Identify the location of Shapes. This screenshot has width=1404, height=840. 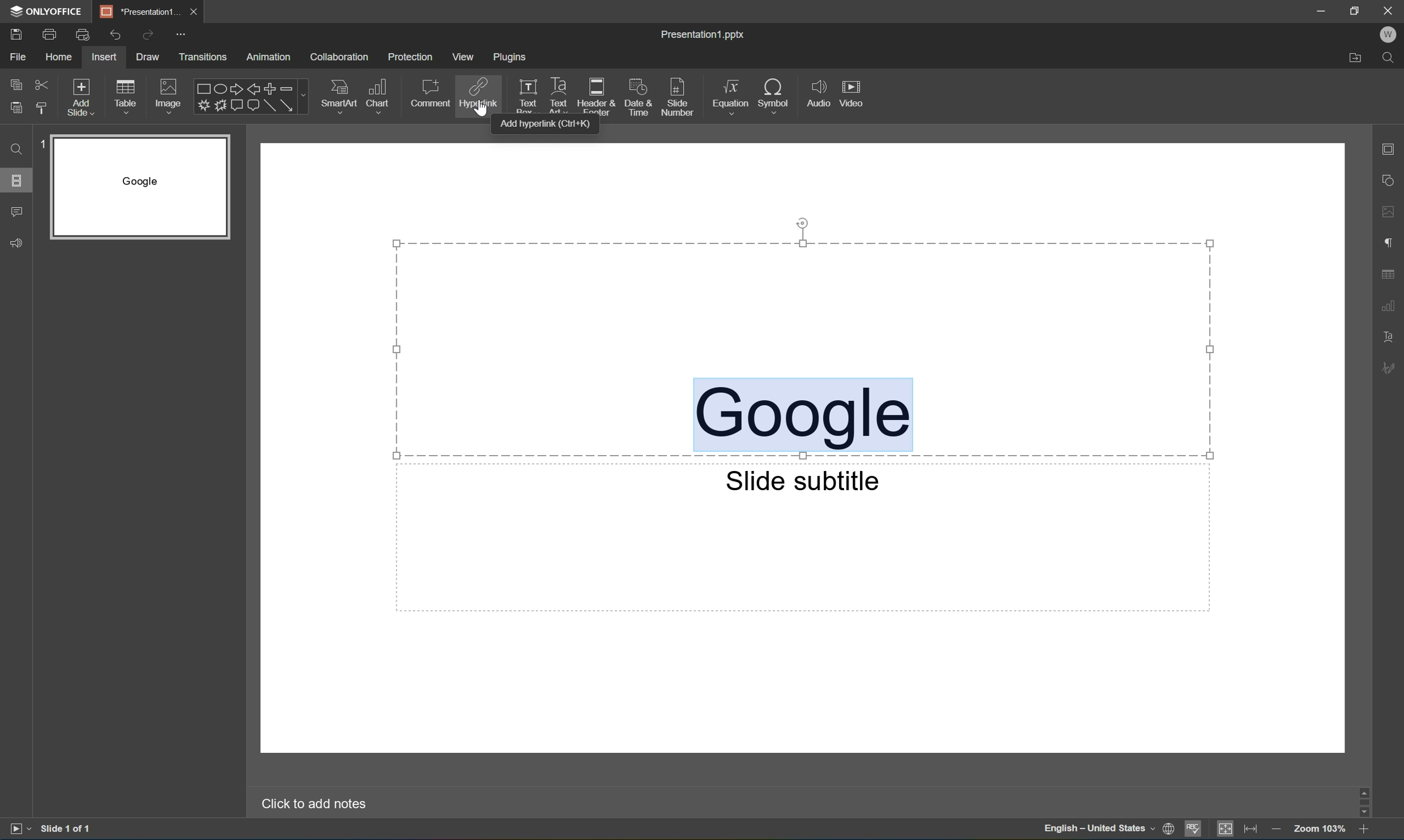
(243, 97).